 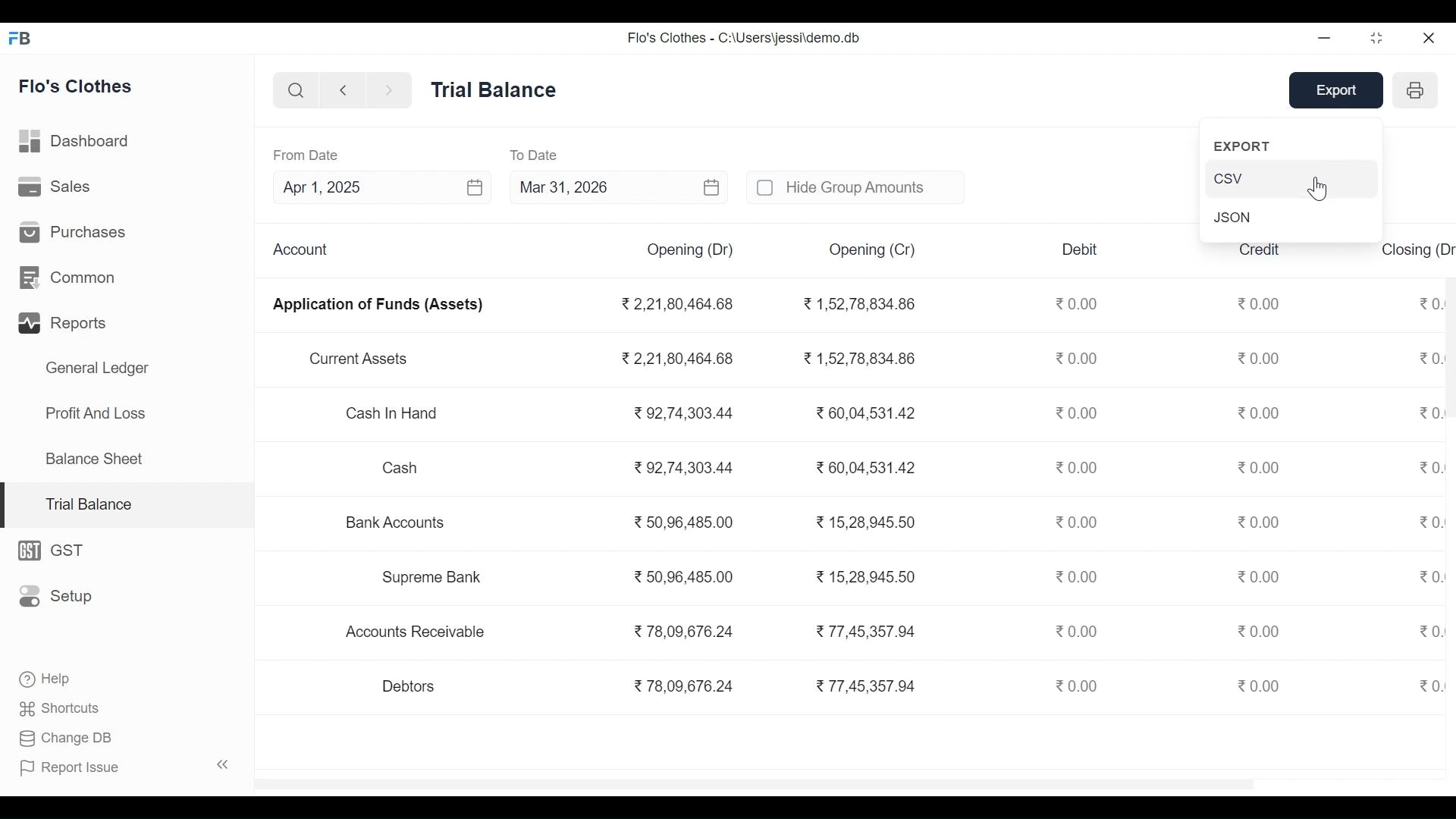 I want to click on "0.00, so click(x=1430, y=301).